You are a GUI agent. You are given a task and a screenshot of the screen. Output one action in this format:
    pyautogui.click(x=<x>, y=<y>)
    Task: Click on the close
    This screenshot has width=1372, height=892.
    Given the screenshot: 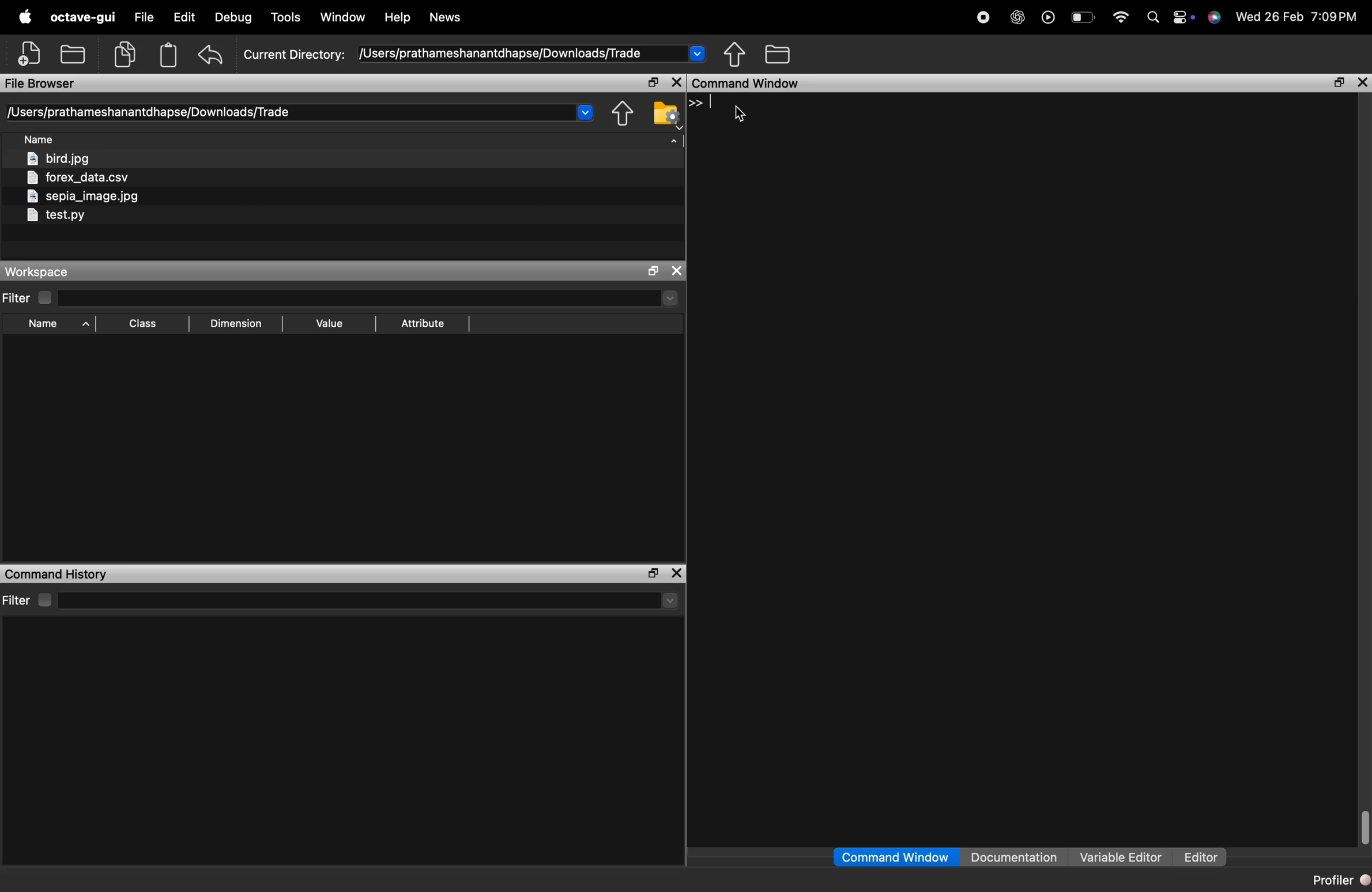 What is the action you would take?
    pyautogui.click(x=677, y=82)
    